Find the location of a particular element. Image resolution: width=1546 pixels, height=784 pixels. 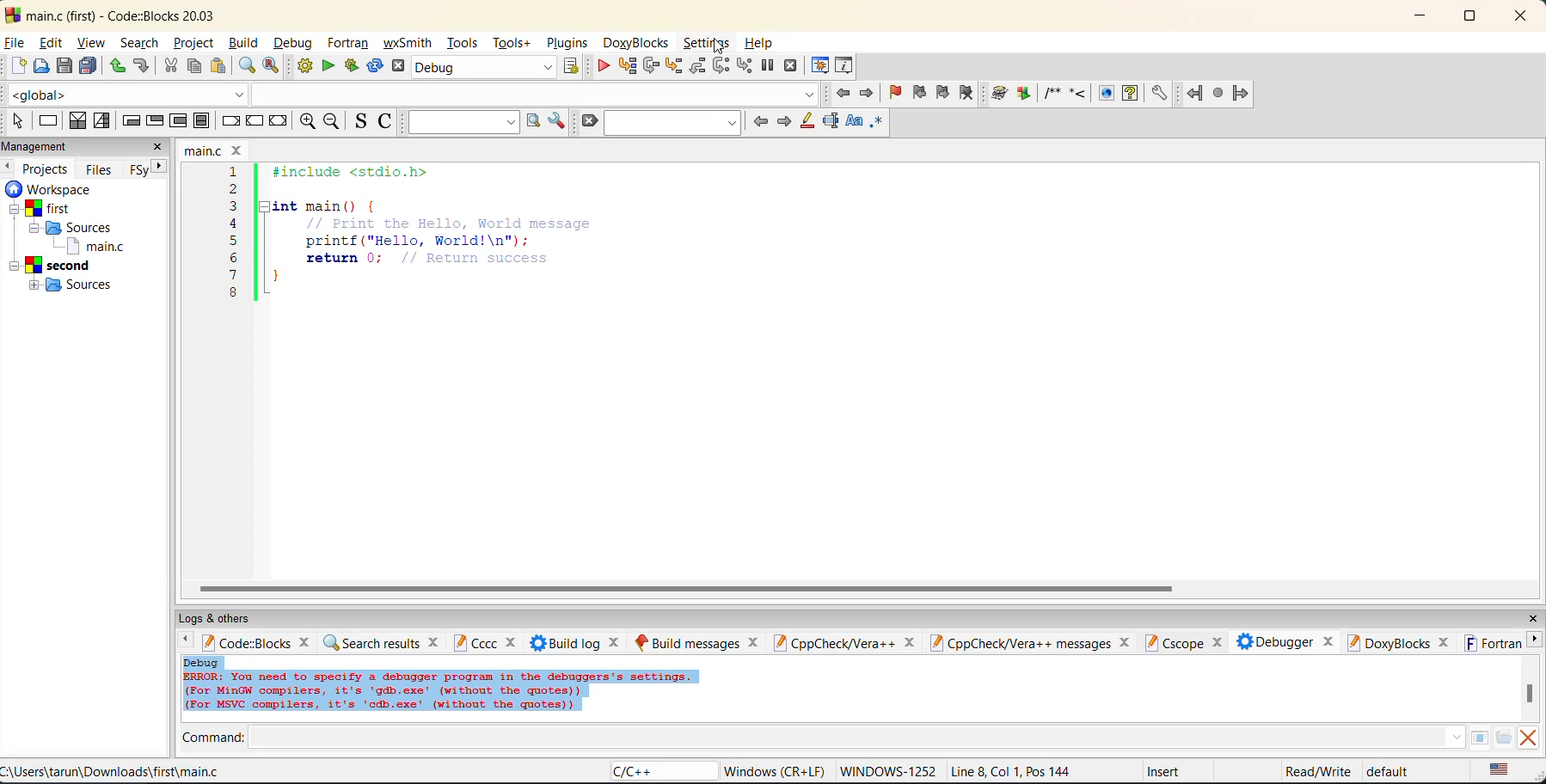

horizontal scroll bar is located at coordinates (690, 587).